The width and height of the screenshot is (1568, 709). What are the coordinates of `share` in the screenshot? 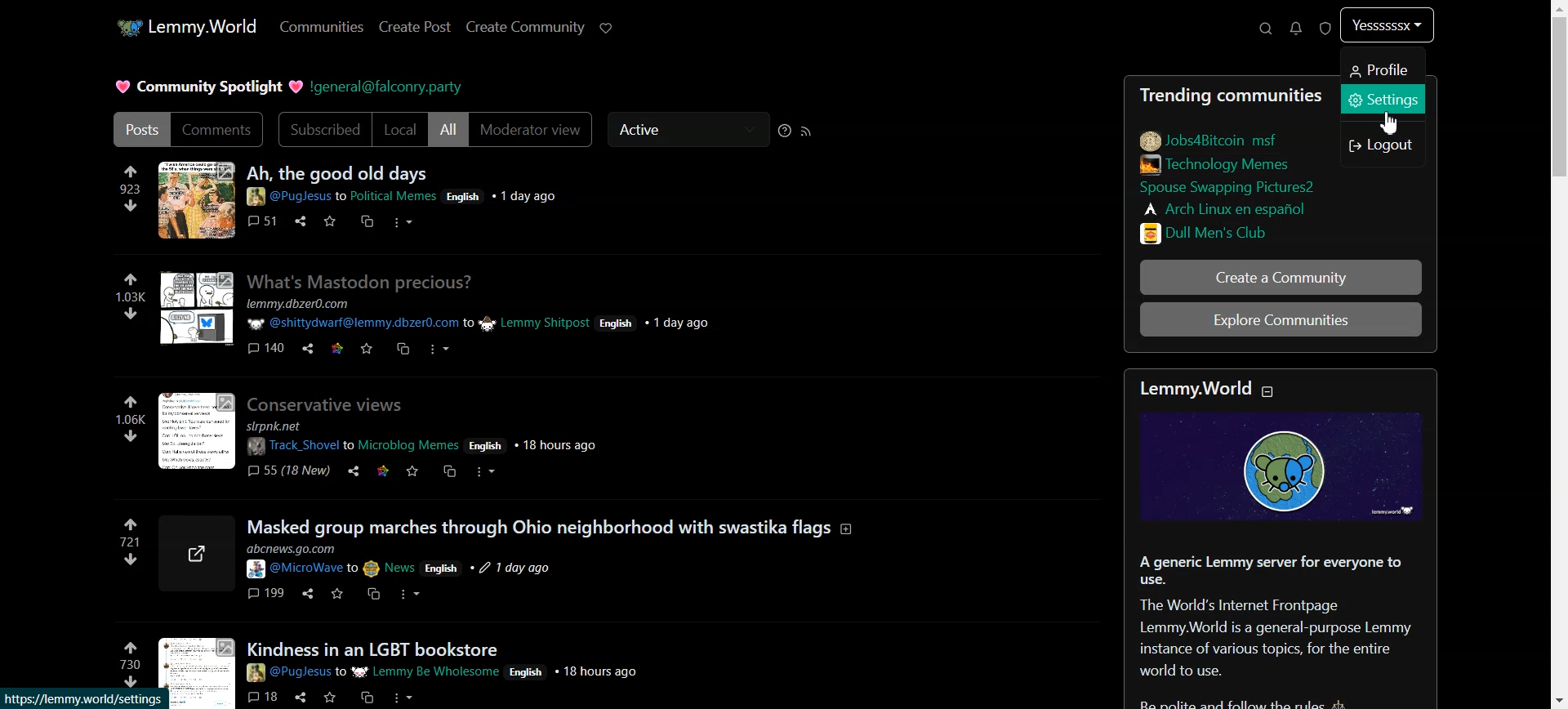 It's located at (350, 471).